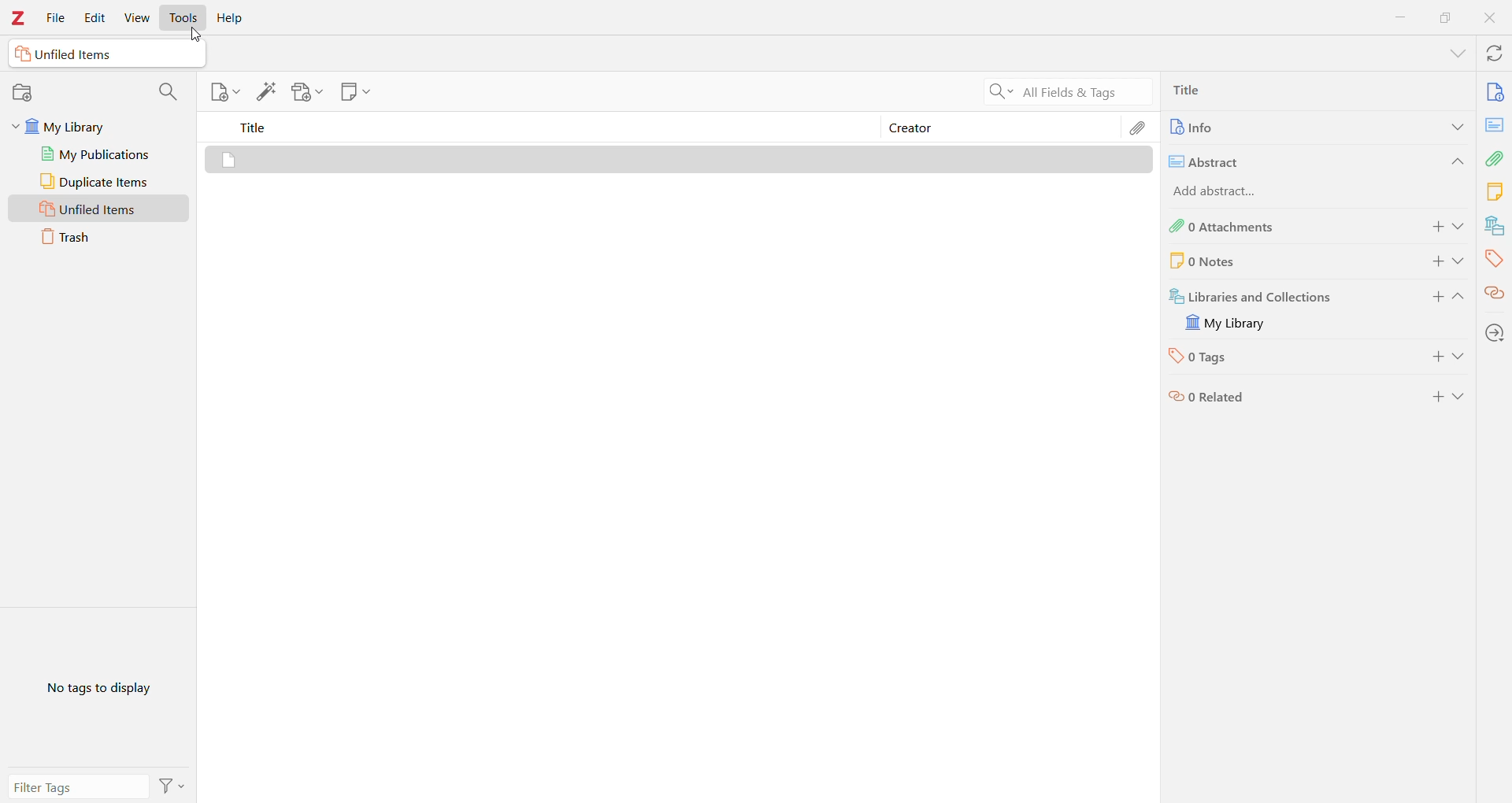  I want to click on List All Tabs, so click(1458, 54).